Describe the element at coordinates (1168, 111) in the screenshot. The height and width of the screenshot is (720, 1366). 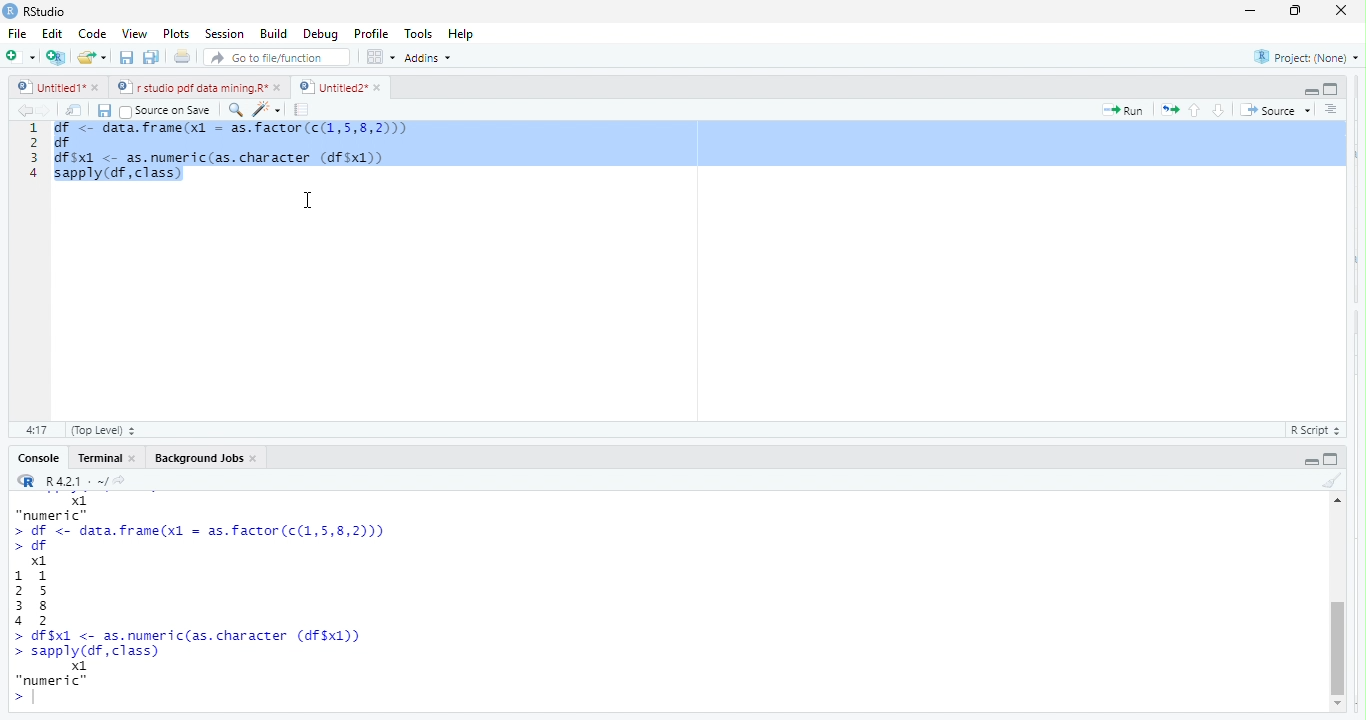
I see `re run the previous code region` at that location.